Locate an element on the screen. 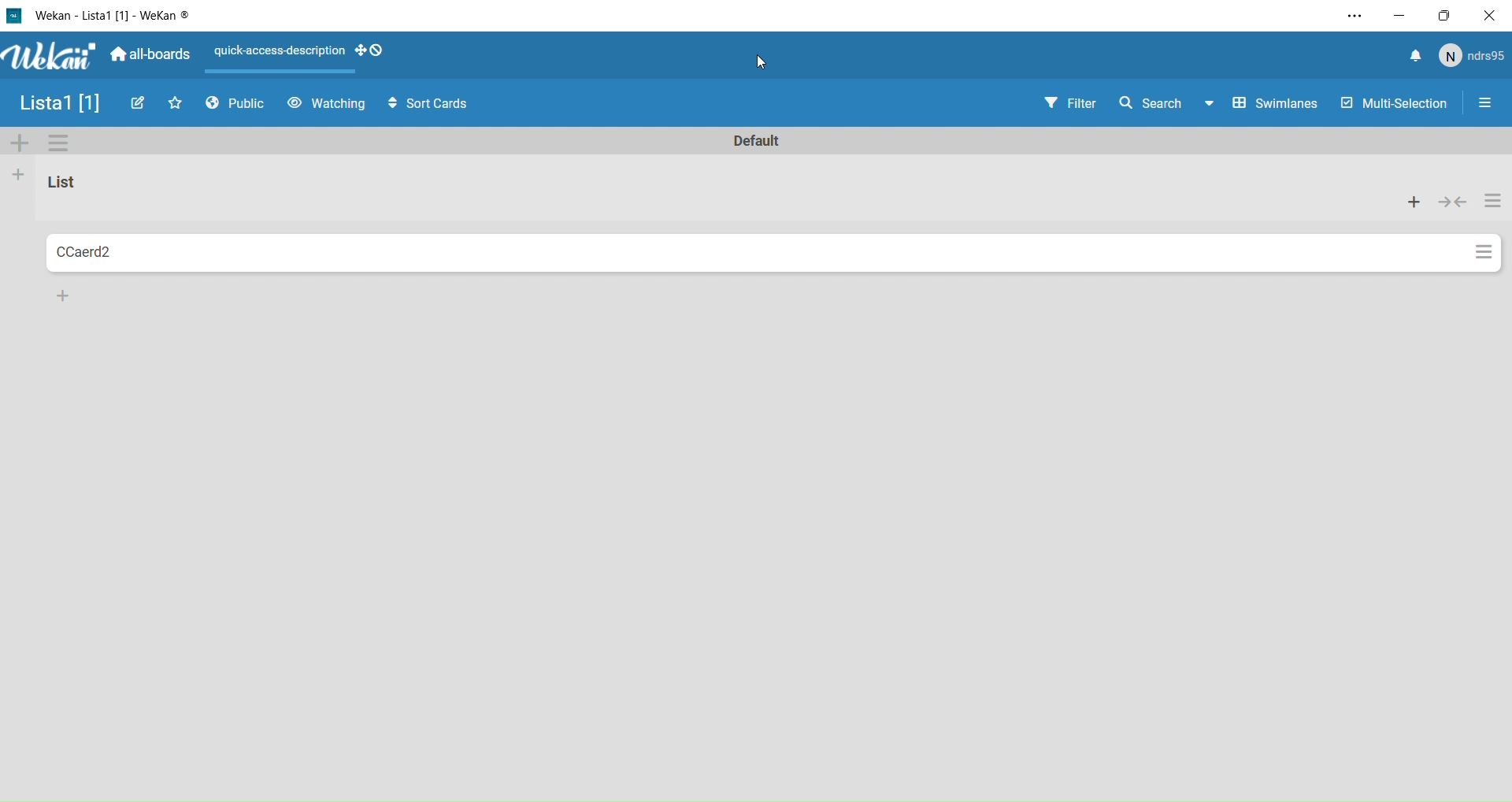 Image resolution: width=1512 pixels, height=802 pixels. Add is located at coordinates (21, 144).